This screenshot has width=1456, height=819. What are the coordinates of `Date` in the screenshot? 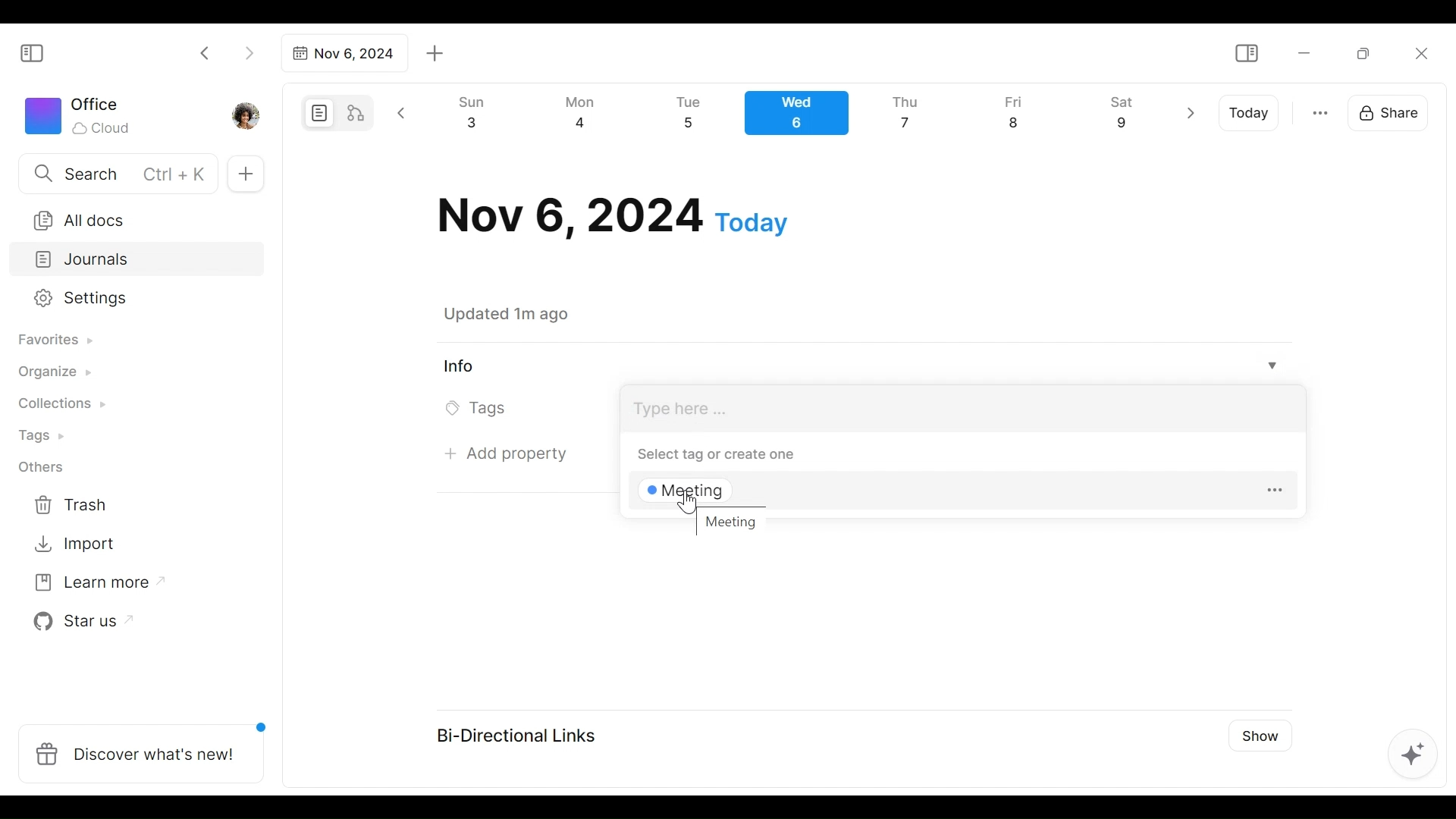 It's located at (613, 216).